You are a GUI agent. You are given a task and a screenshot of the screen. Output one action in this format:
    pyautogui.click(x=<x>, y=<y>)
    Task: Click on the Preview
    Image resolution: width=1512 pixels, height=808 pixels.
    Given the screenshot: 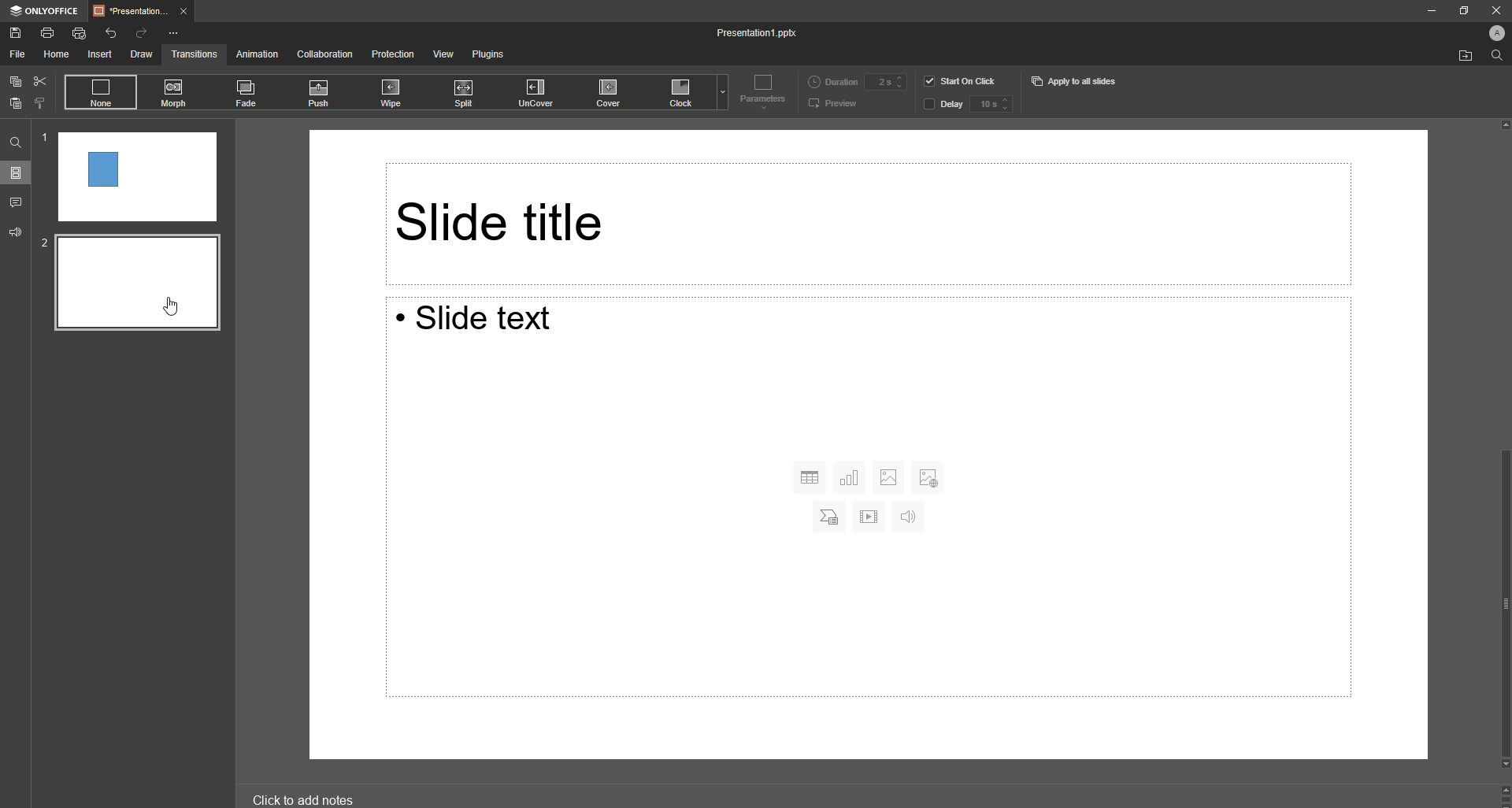 What is the action you would take?
    pyautogui.click(x=832, y=106)
    